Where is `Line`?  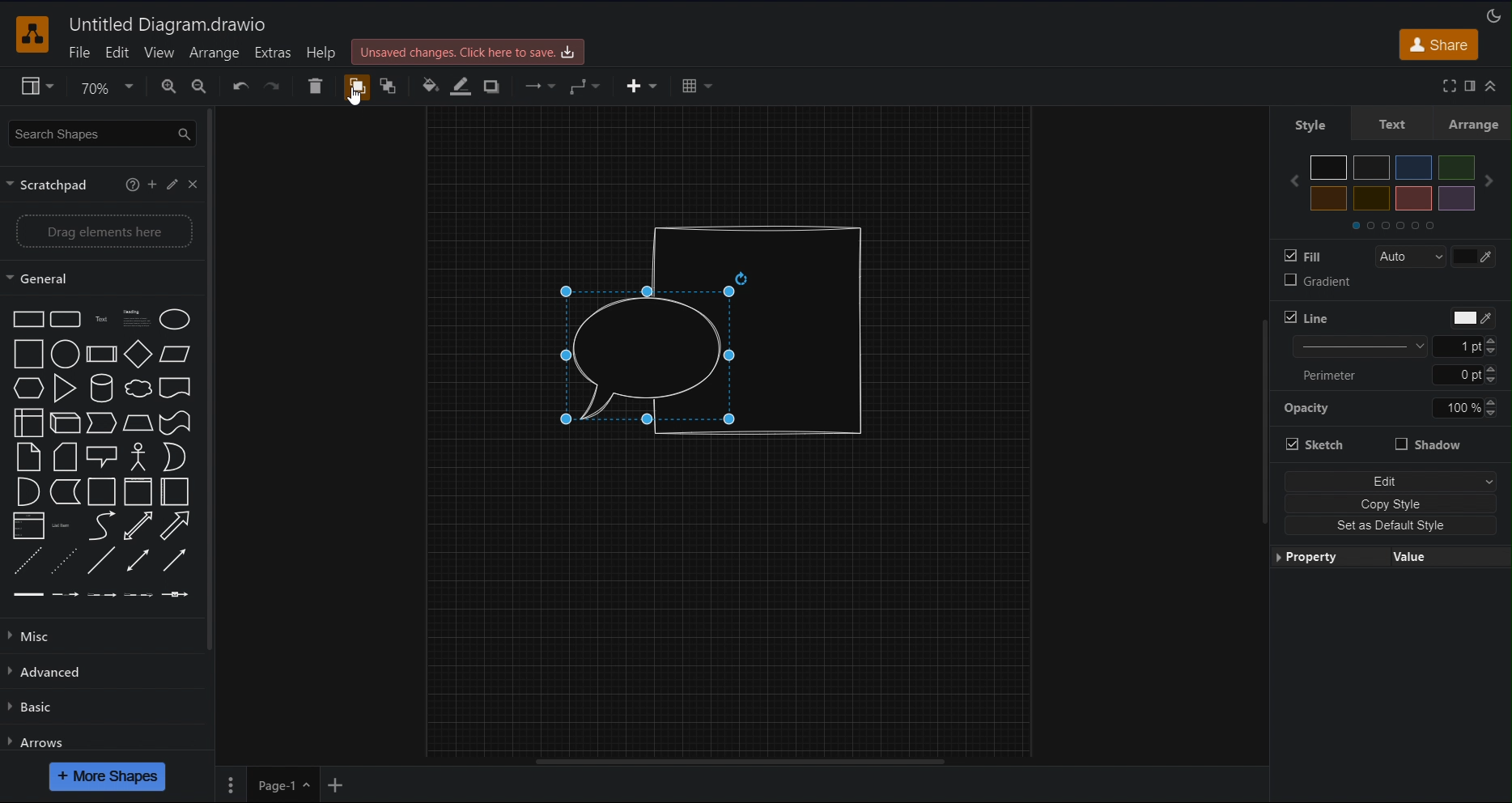 Line is located at coordinates (101, 561).